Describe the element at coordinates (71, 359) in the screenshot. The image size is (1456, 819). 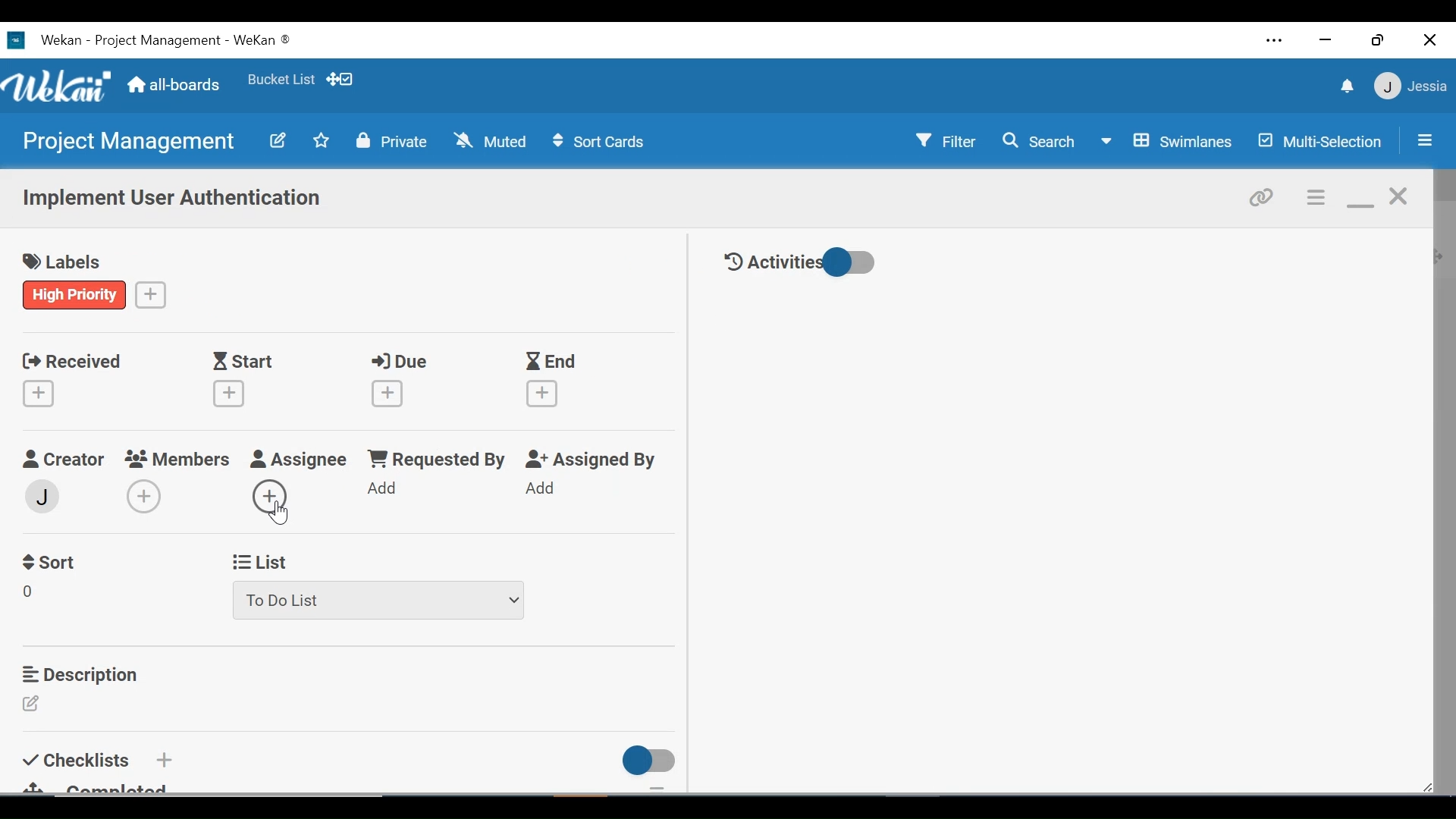
I see `Received Date` at that location.